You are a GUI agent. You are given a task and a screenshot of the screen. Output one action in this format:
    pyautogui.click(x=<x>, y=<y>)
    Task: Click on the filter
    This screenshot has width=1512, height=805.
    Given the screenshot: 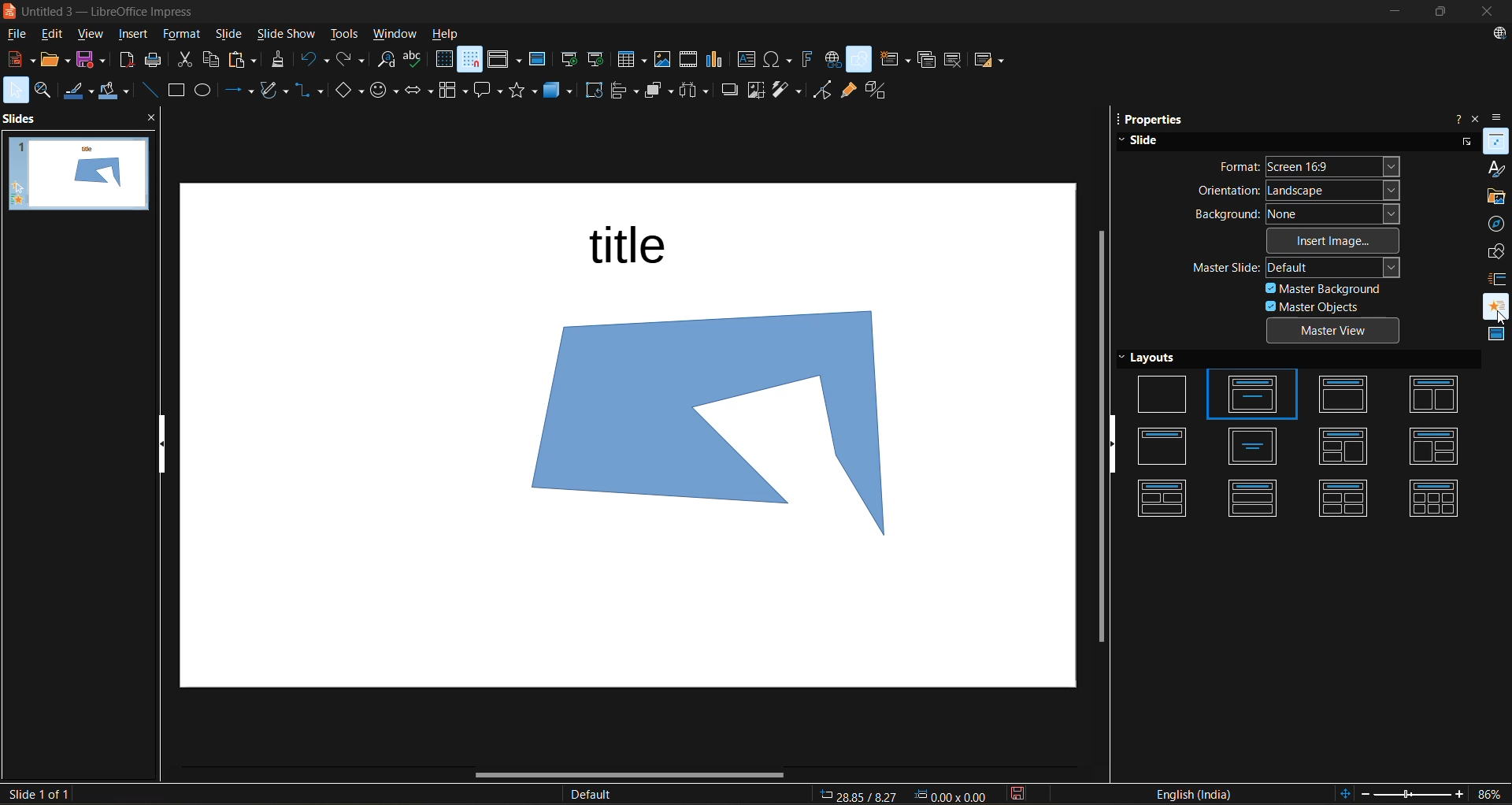 What is the action you would take?
    pyautogui.click(x=790, y=91)
    